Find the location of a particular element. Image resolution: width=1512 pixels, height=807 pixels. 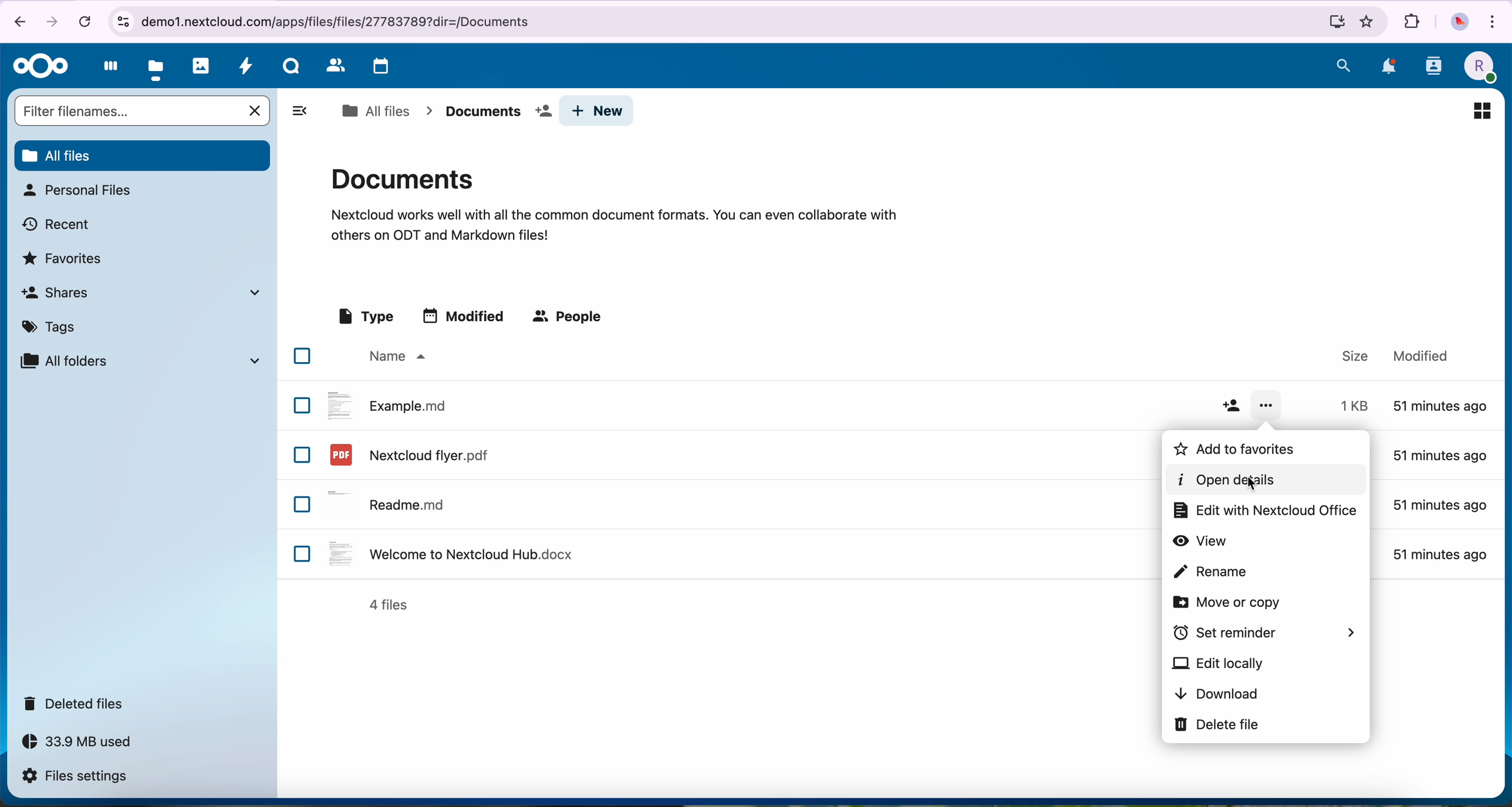

move or copy is located at coordinates (1230, 602).